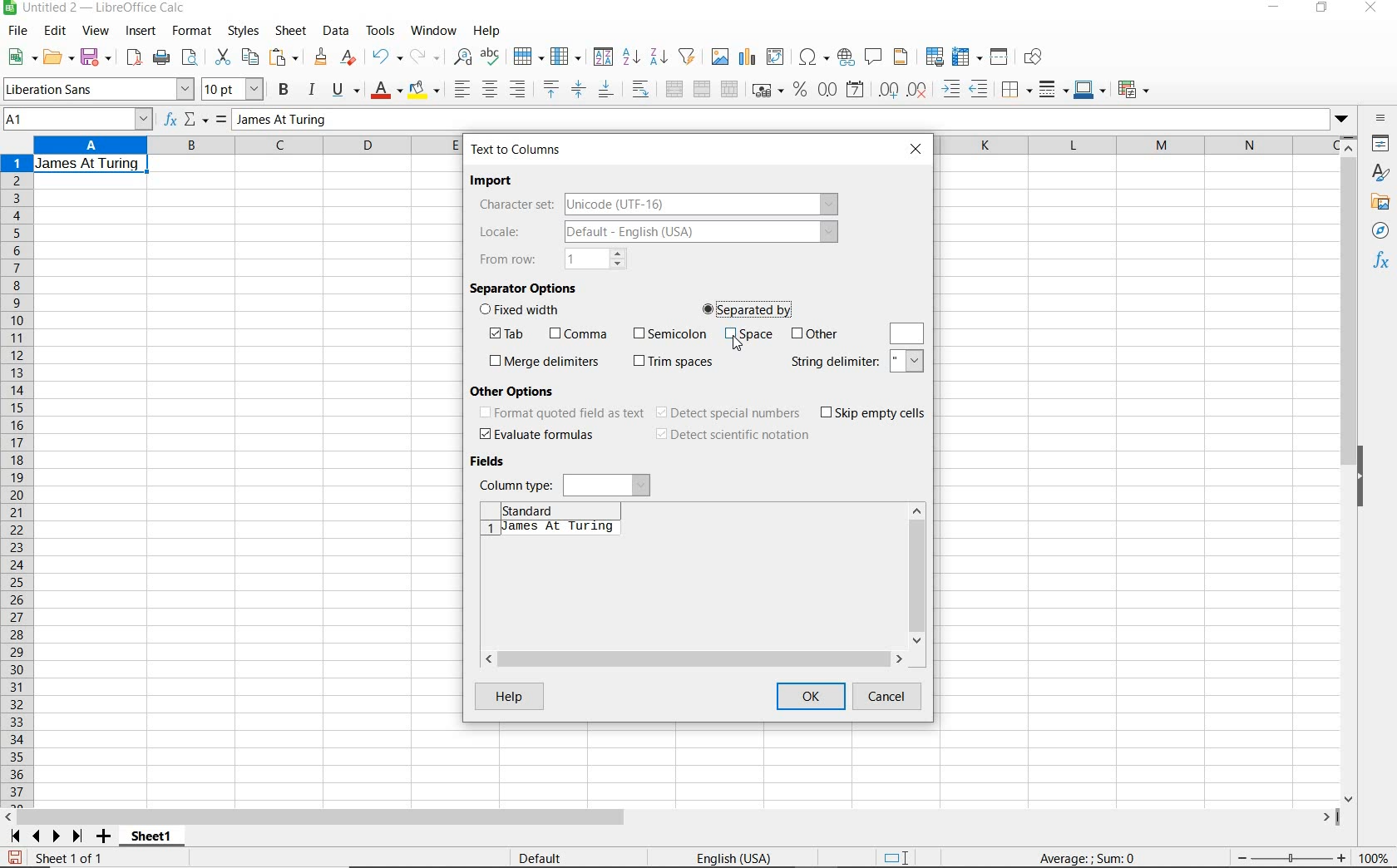  Describe the element at coordinates (221, 57) in the screenshot. I see `cut` at that location.